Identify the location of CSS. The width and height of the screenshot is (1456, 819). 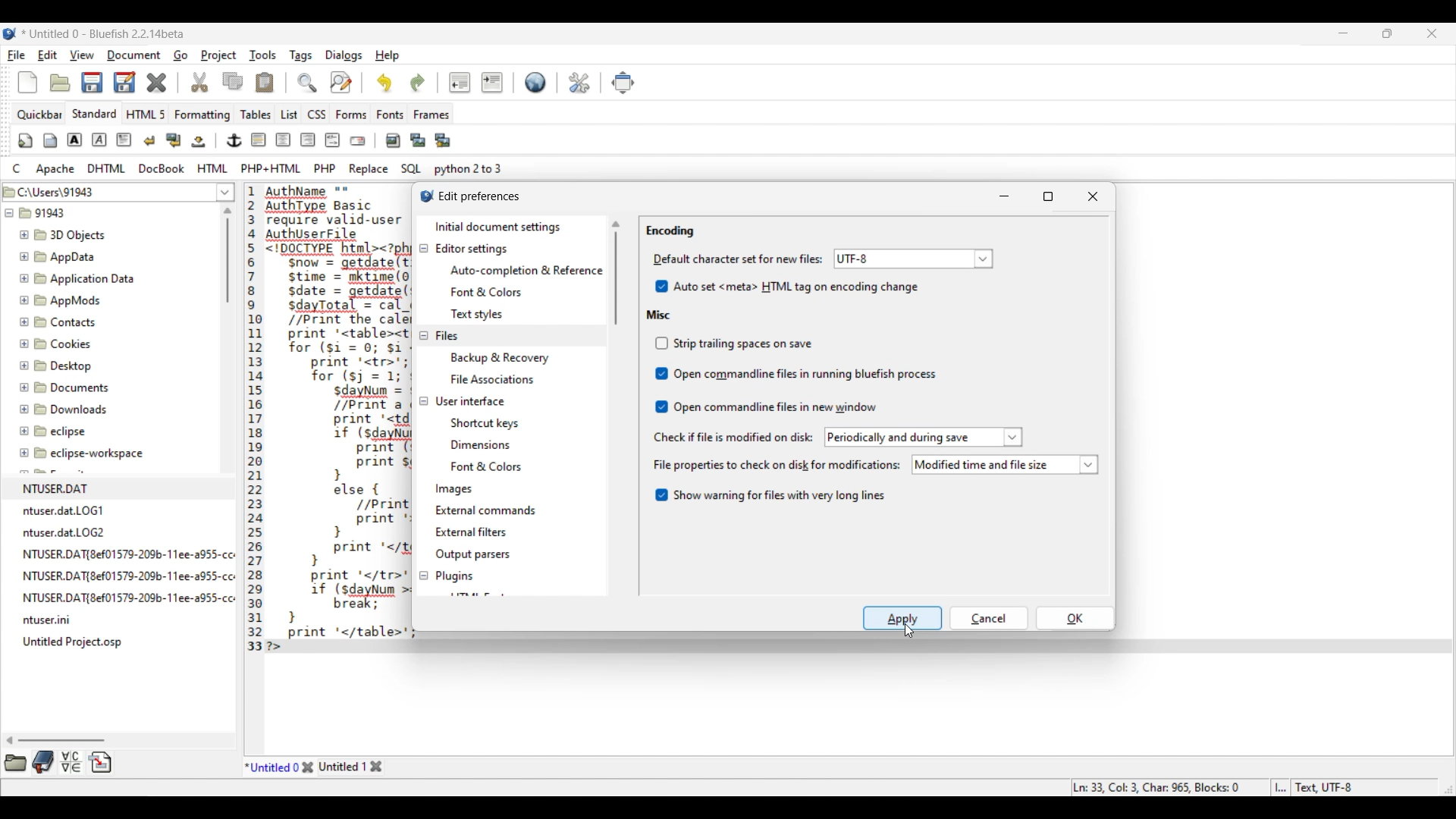
(317, 115).